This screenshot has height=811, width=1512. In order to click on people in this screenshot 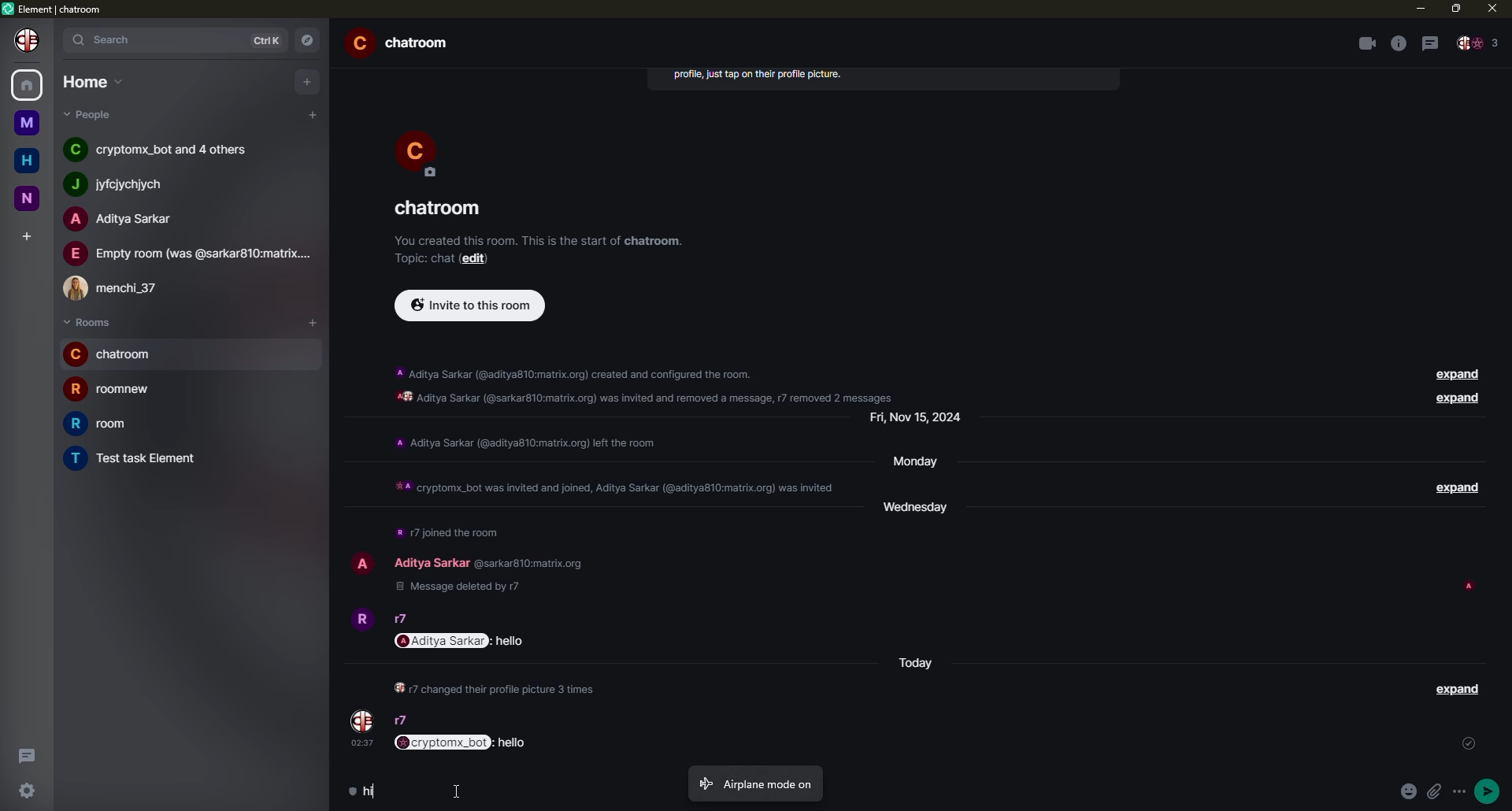, I will do `click(120, 289)`.